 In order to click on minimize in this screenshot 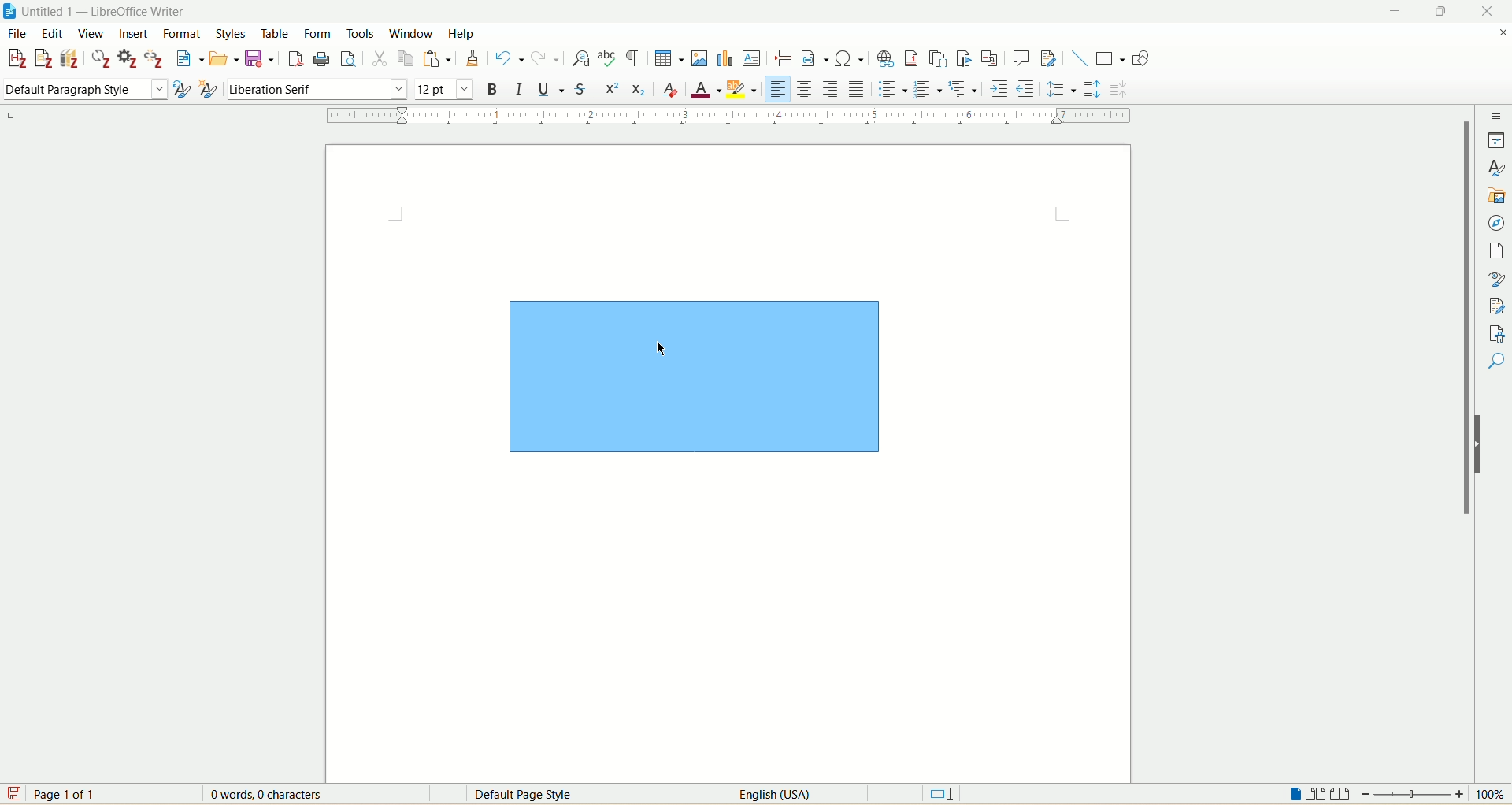, I will do `click(1396, 12)`.